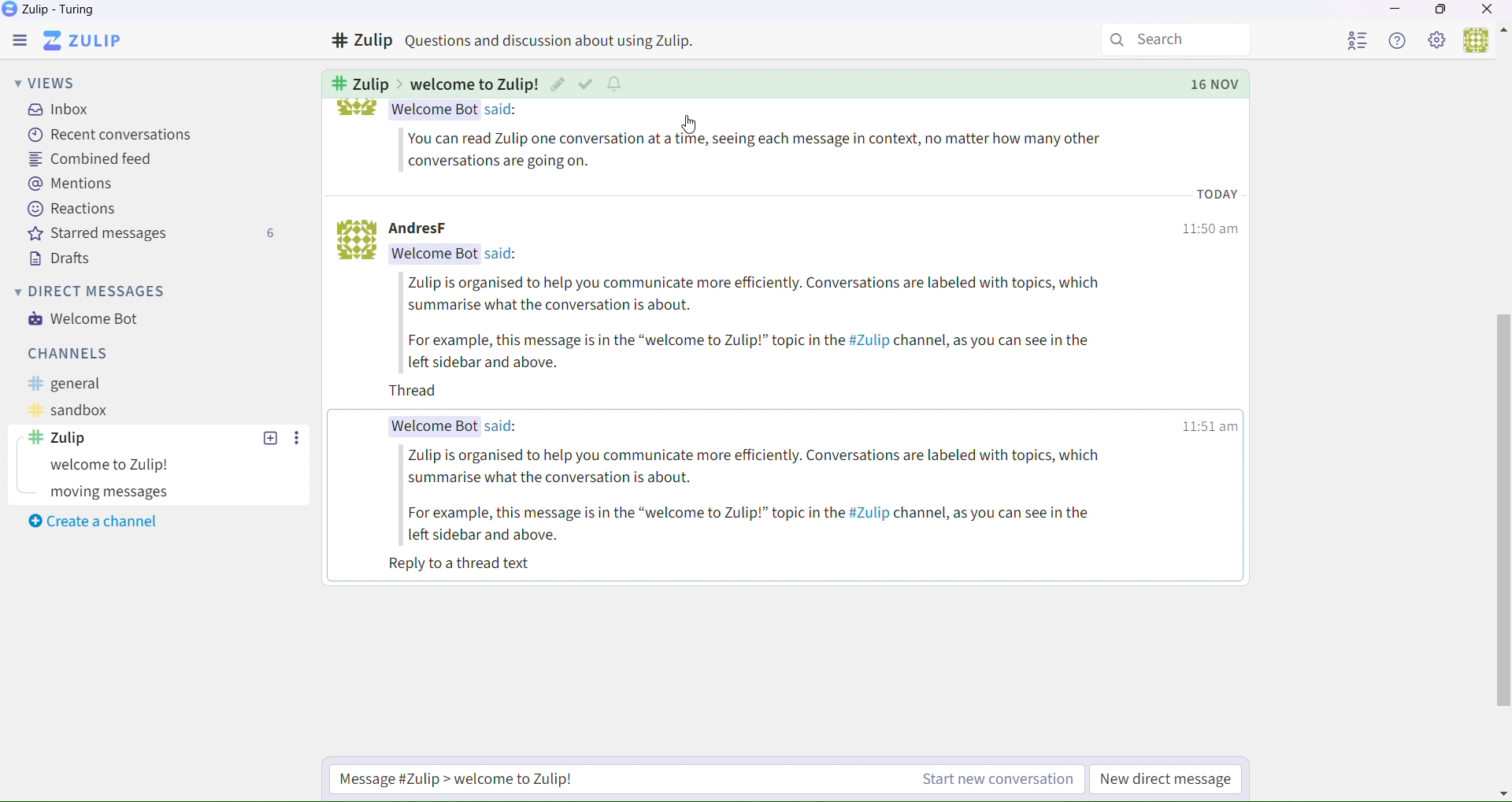 This screenshot has width=1512, height=802. What do you see at coordinates (748, 511) in the screenshot?
I see `Zulip is organised to help you communicate more efficiently. Conversations are labeled with topics, which
summarise what the conversation is about.
For example, this message is in the “welcome to Zulip!” topic in the #Zulip channel, as you can see in the
left sidebar and above.

Reply to a thread text` at bounding box center [748, 511].